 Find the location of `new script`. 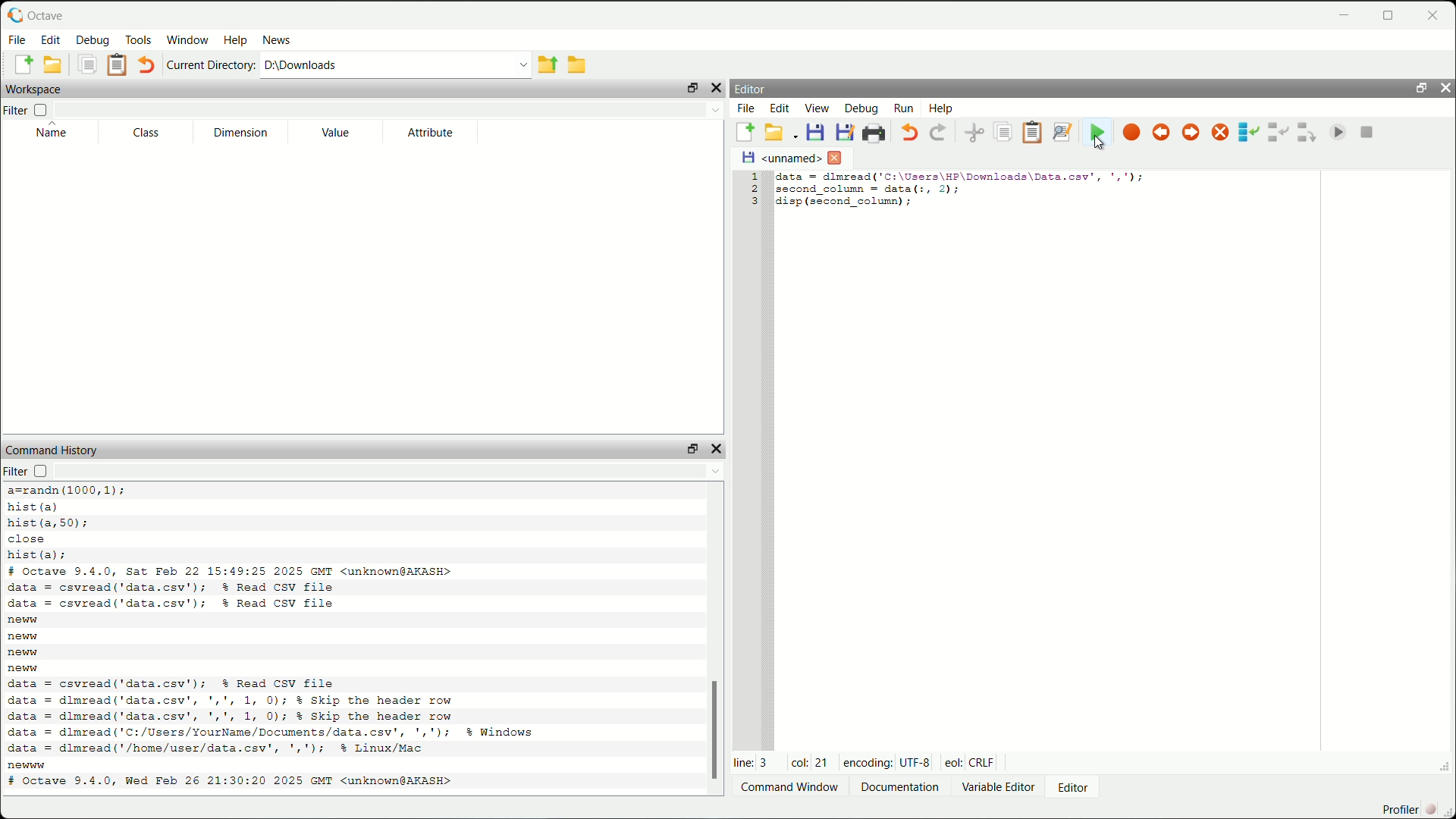

new script is located at coordinates (745, 133).